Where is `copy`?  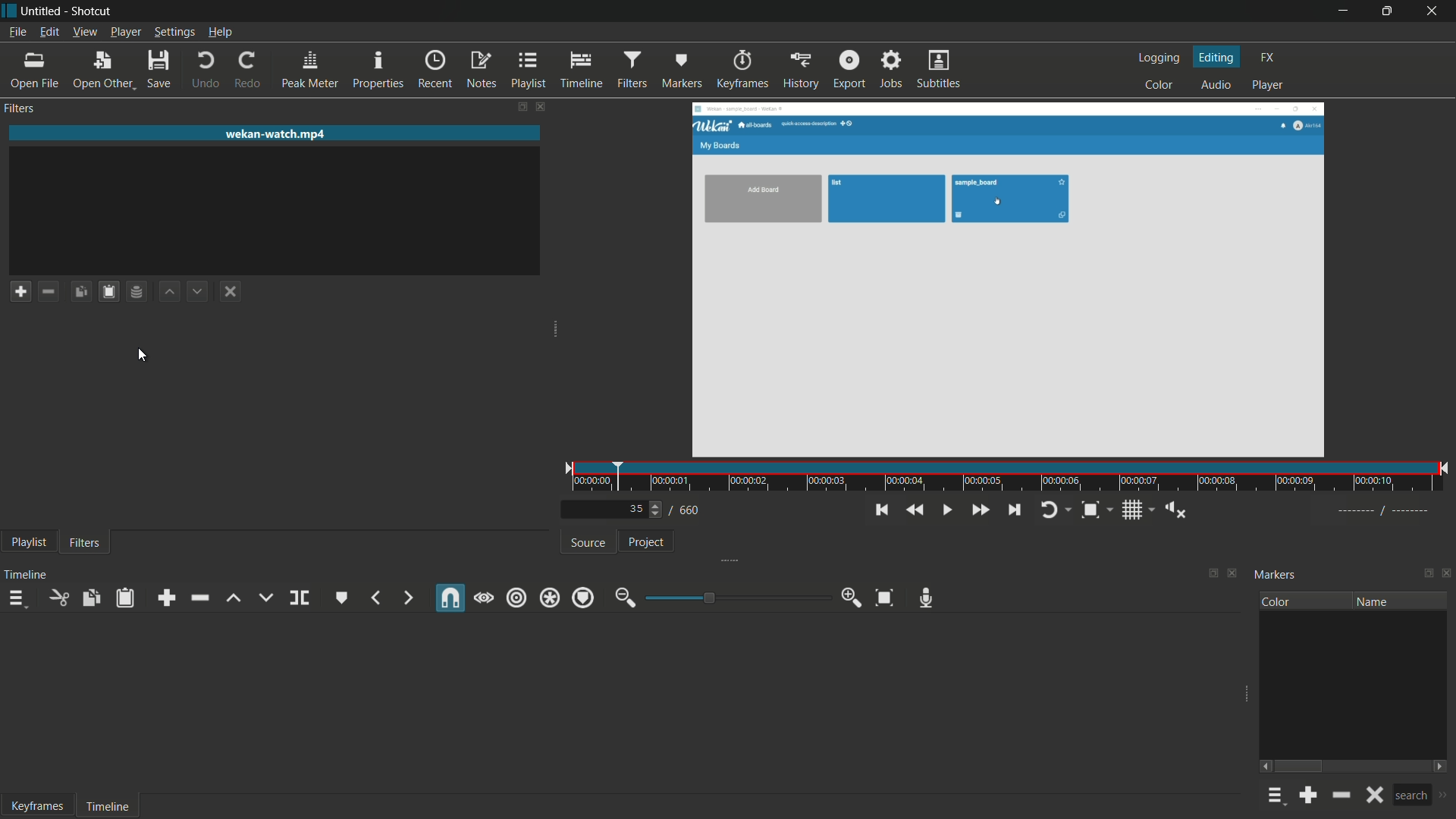 copy is located at coordinates (92, 598).